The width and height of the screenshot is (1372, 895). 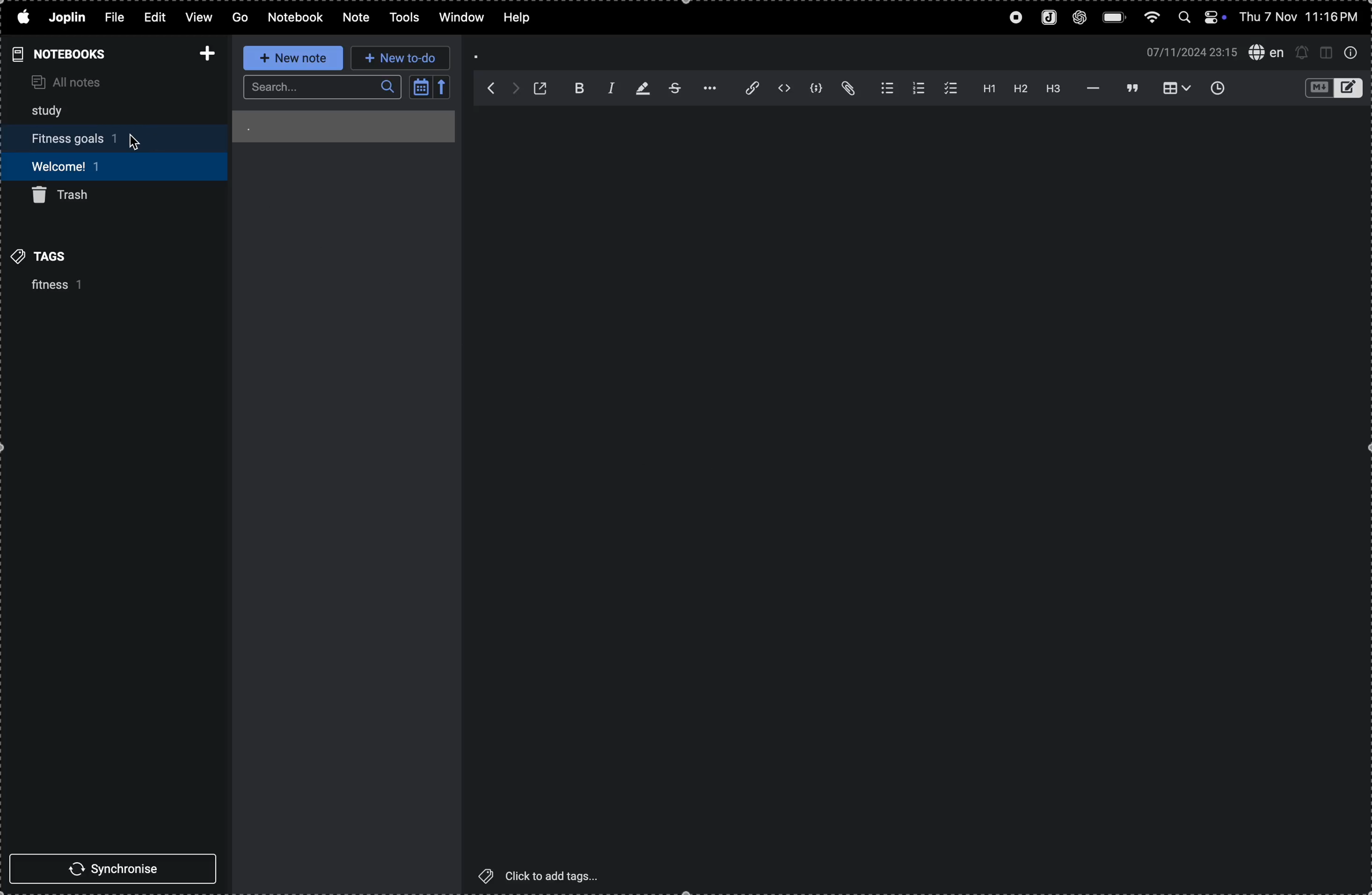 What do you see at coordinates (91, 80) in the screenshot?
I see `all notes` at bounding box center [91, 80].